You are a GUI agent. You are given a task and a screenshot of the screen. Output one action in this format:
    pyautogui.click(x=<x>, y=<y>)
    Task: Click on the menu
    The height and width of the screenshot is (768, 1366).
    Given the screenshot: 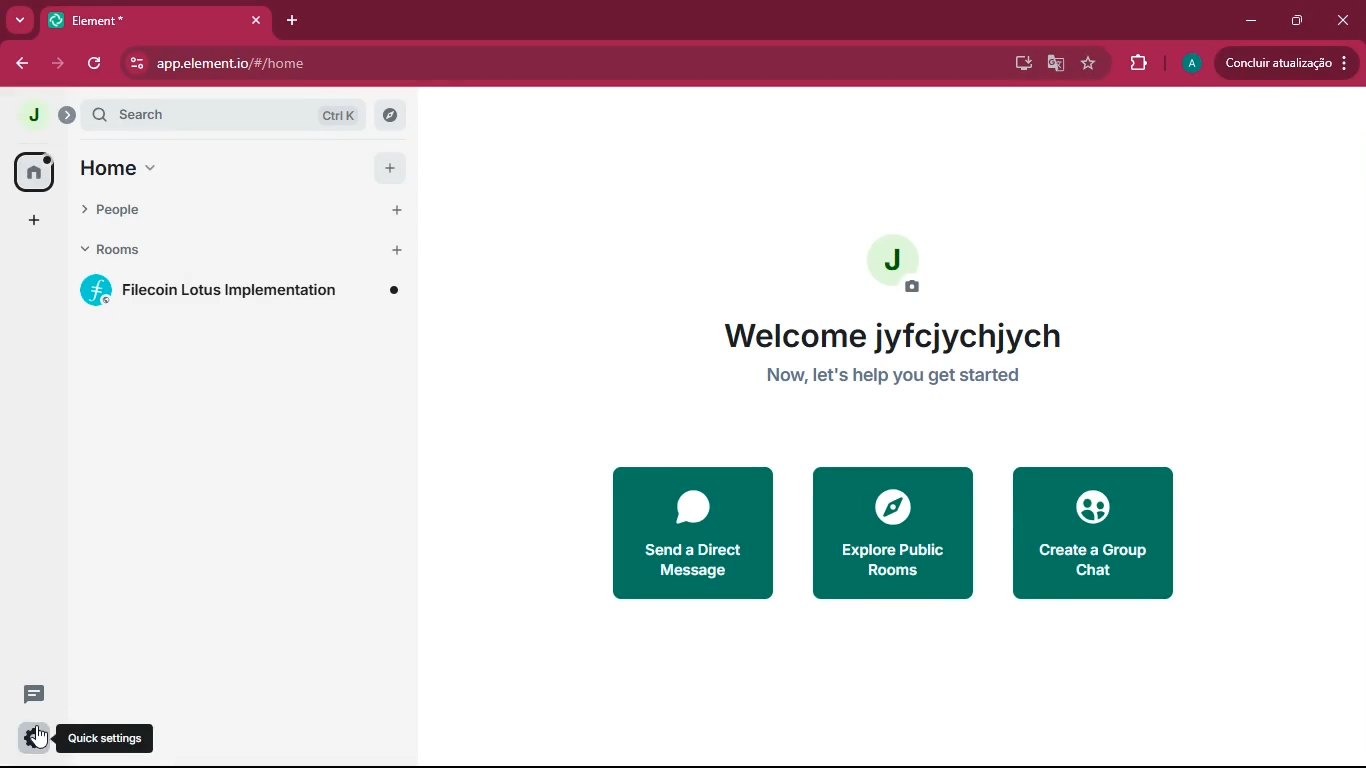 What is the action you would take?
    pyautogui.click(x=155, y=172)
    